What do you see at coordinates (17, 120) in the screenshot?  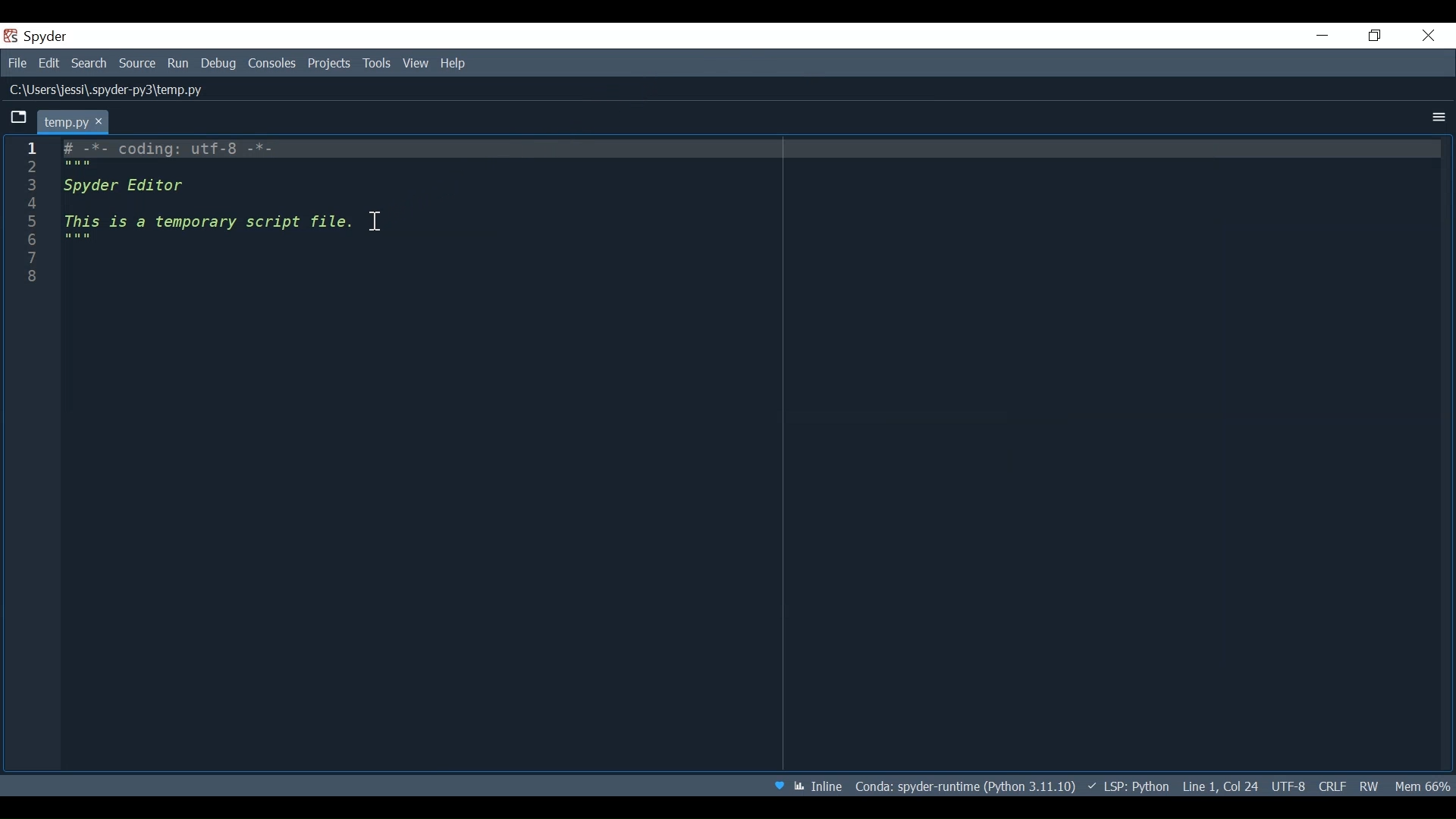 I see `Browse Tabs` at bounding box center [17, 120].